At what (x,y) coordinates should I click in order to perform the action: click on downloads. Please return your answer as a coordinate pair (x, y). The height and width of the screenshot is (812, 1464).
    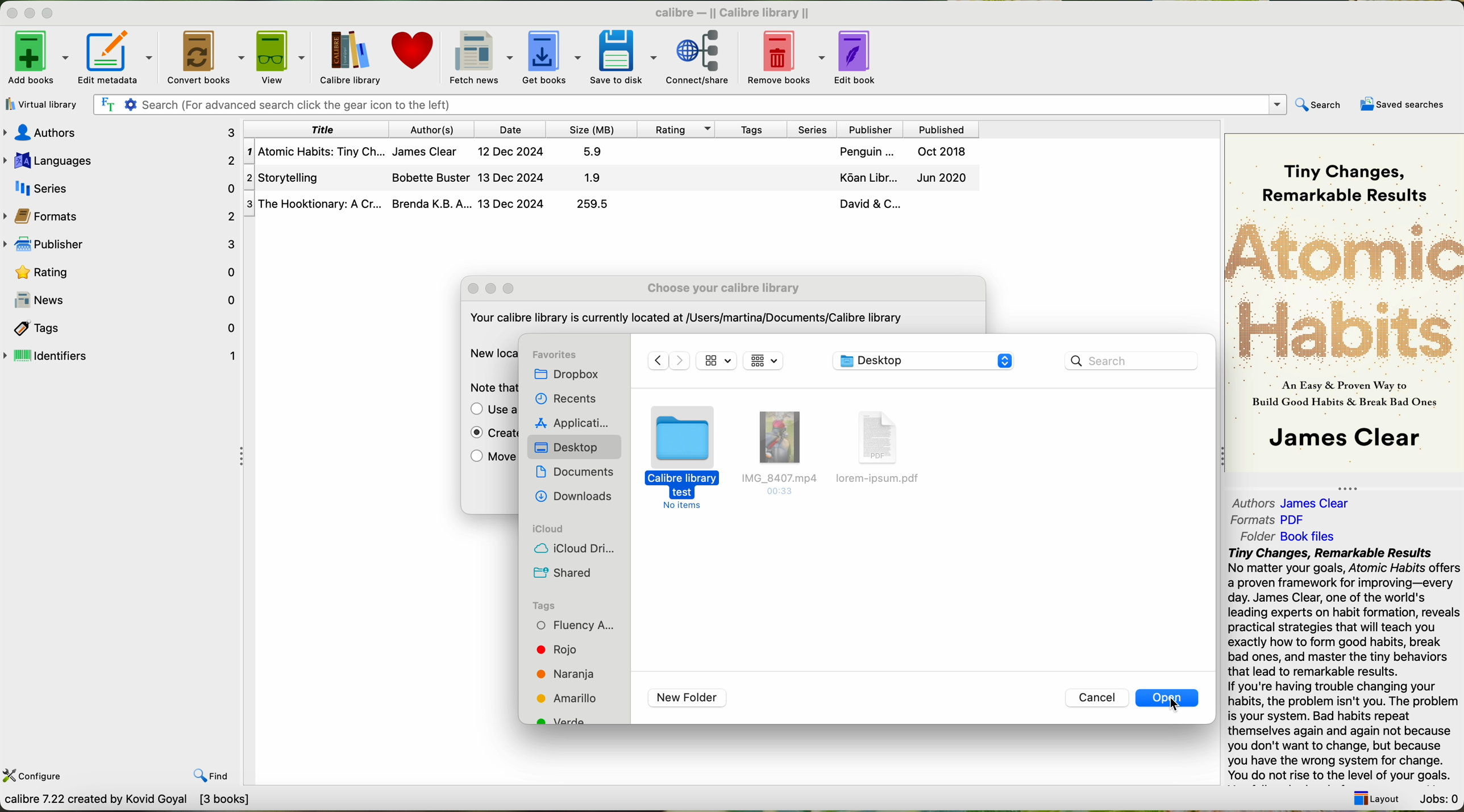
    Looking at the image, I should click on (576, 497).